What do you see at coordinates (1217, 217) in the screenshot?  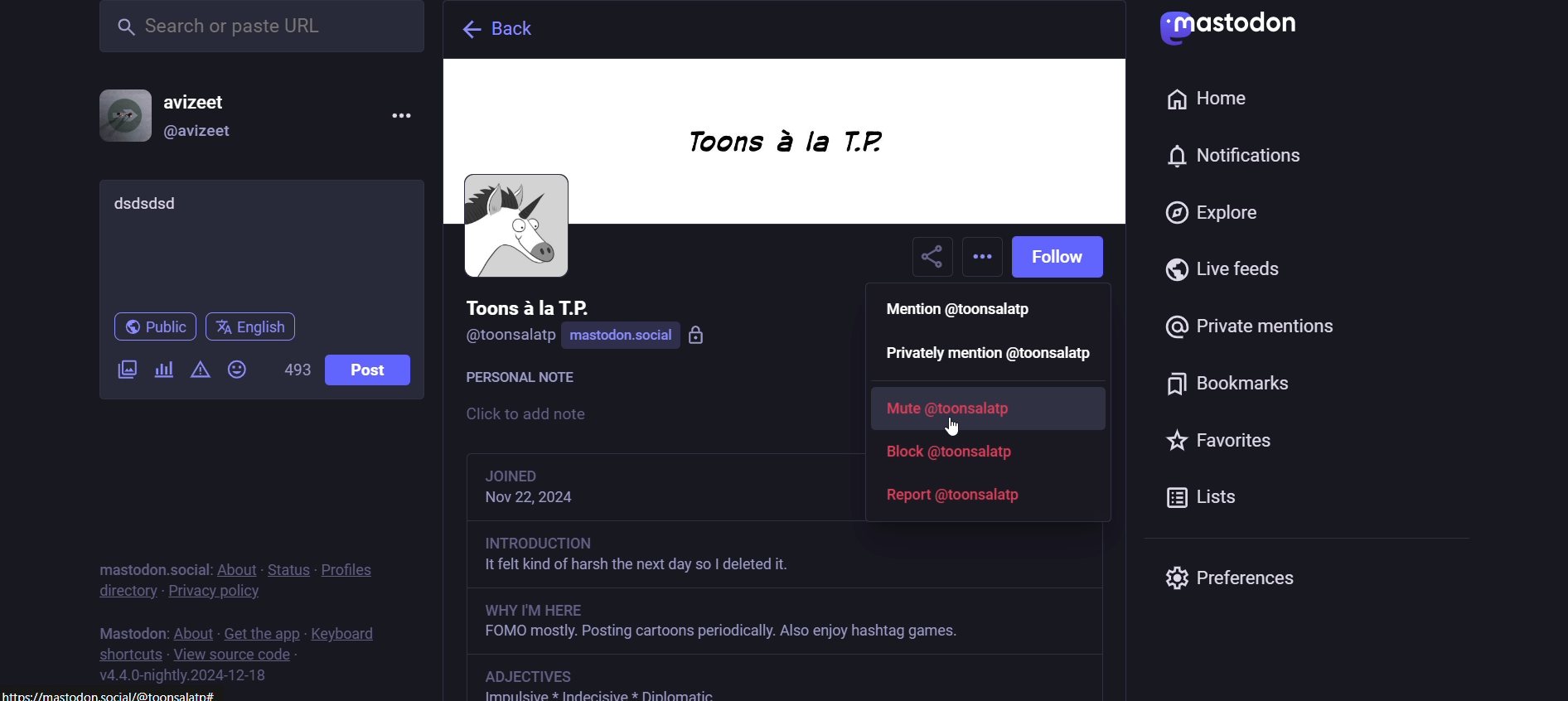 I see `explore ` at bounding box center [1217, 217].